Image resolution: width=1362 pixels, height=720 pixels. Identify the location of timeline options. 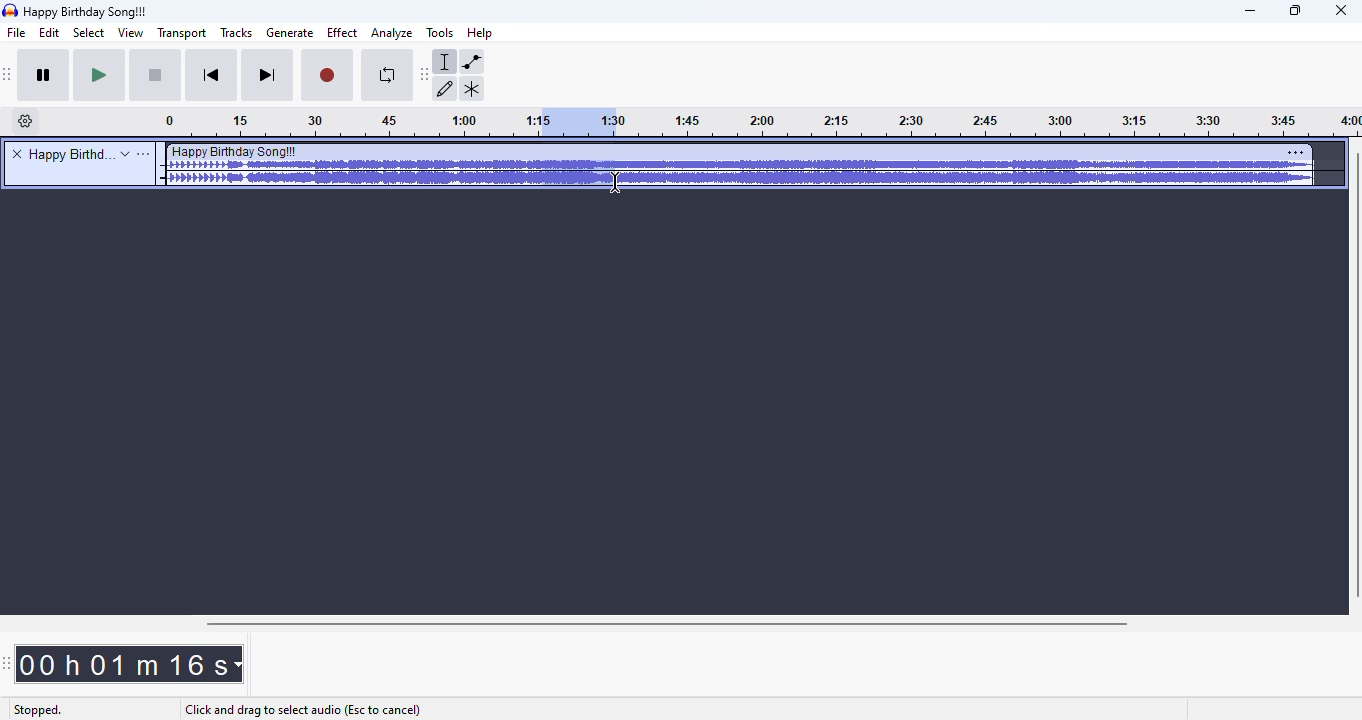
(26, 121).